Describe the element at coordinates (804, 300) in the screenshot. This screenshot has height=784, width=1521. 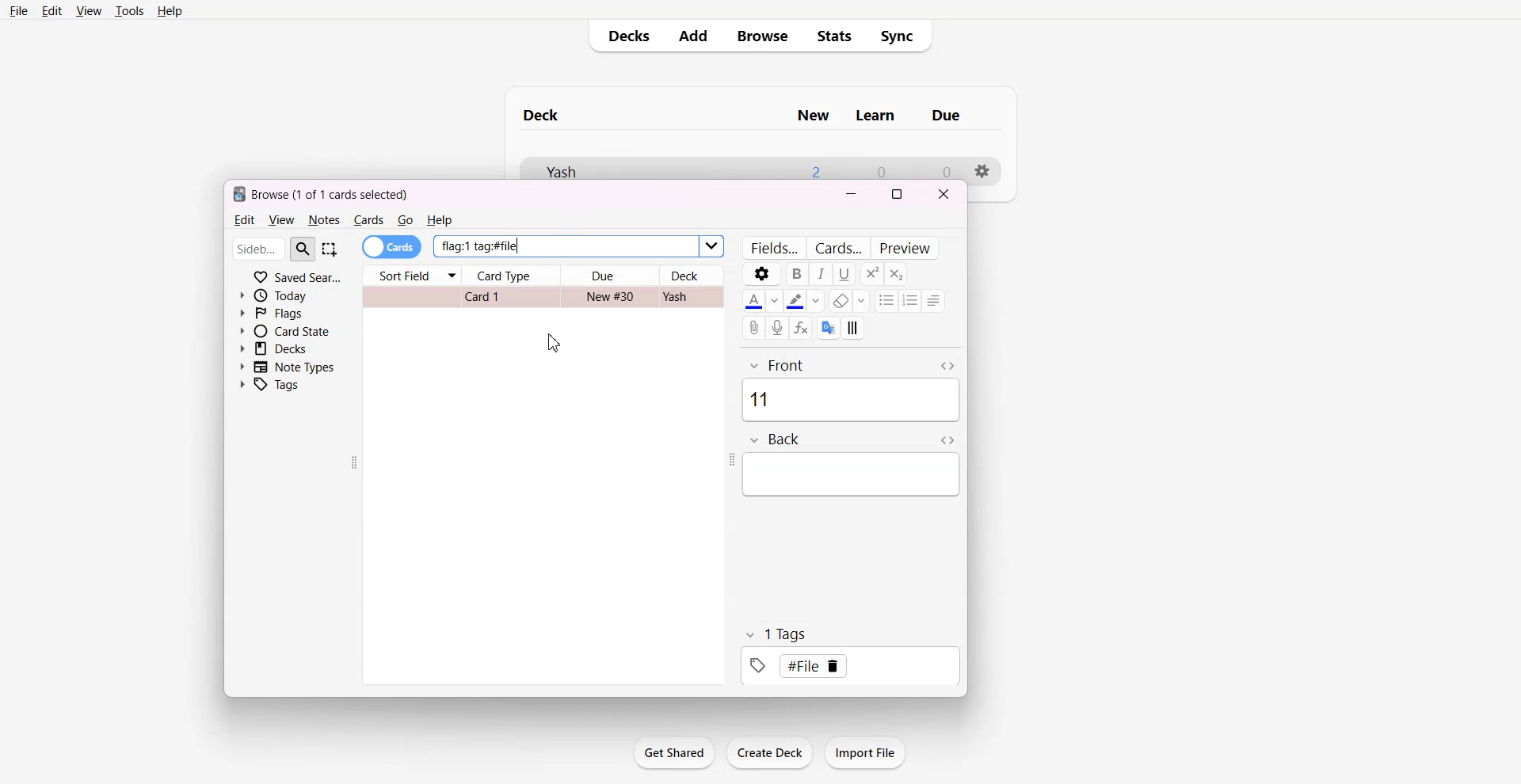
I see `Highlight Text Color` at that location.